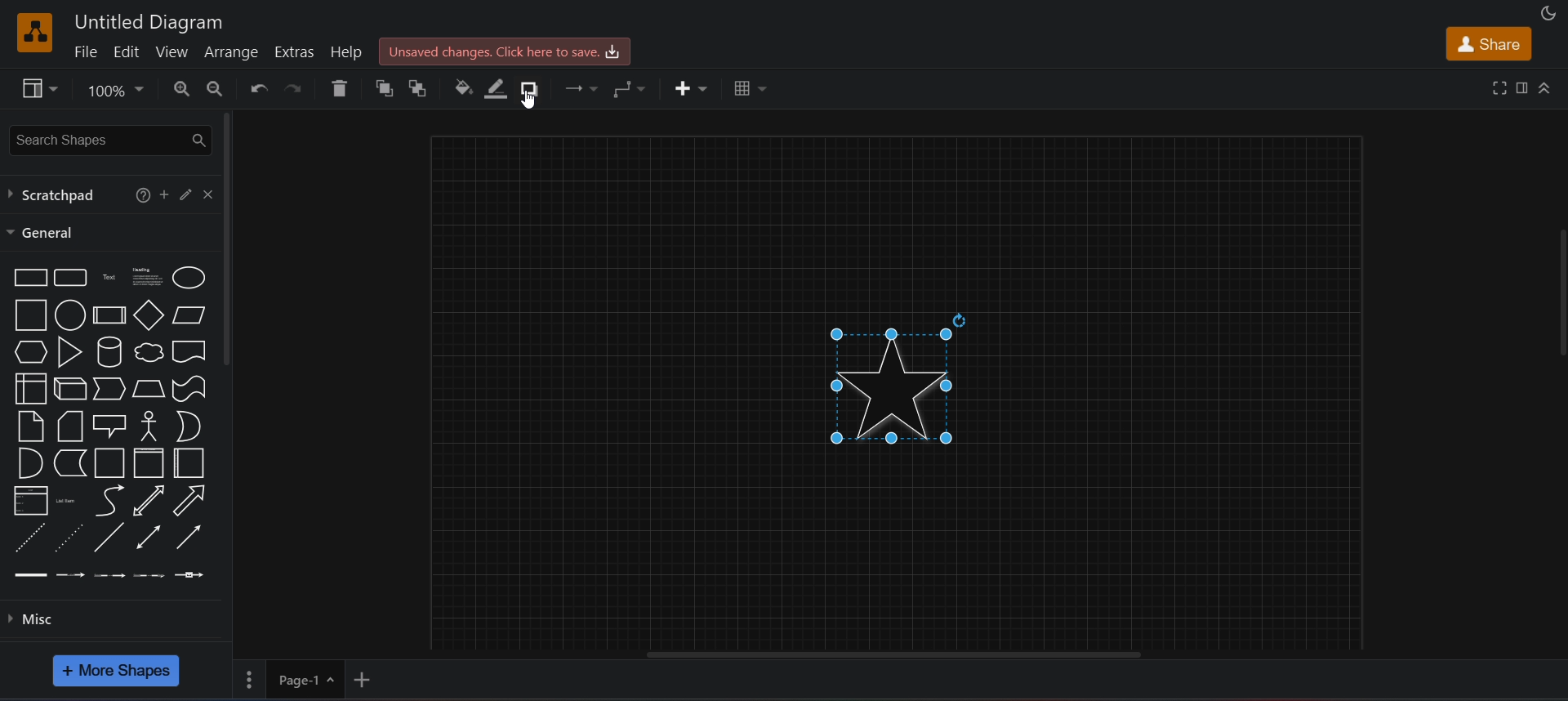  I want to click on redo, so click(296, 91).